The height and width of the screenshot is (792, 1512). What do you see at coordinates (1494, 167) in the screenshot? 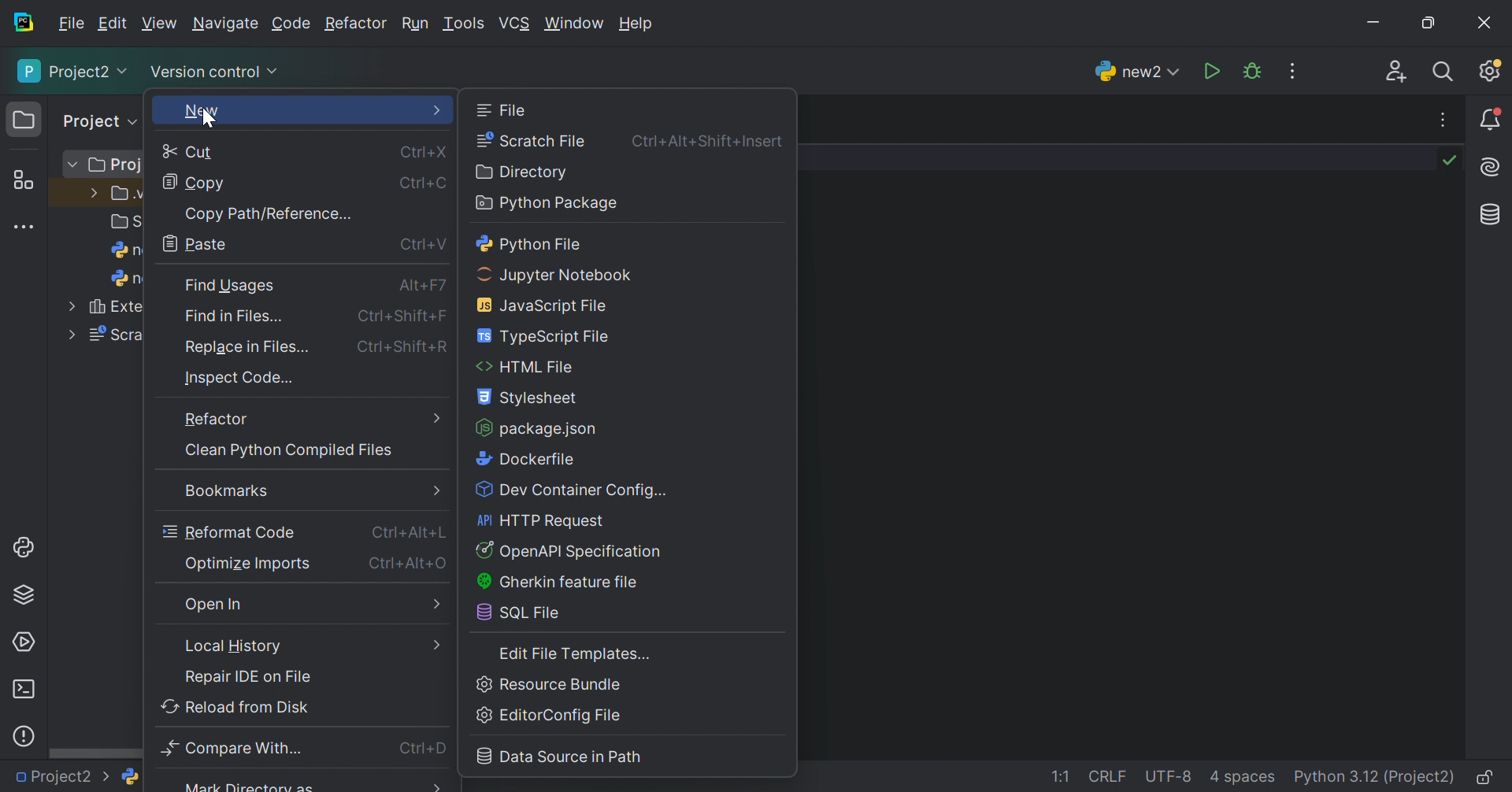
I see `AI Assistant` at bounding box center [1494, 167].